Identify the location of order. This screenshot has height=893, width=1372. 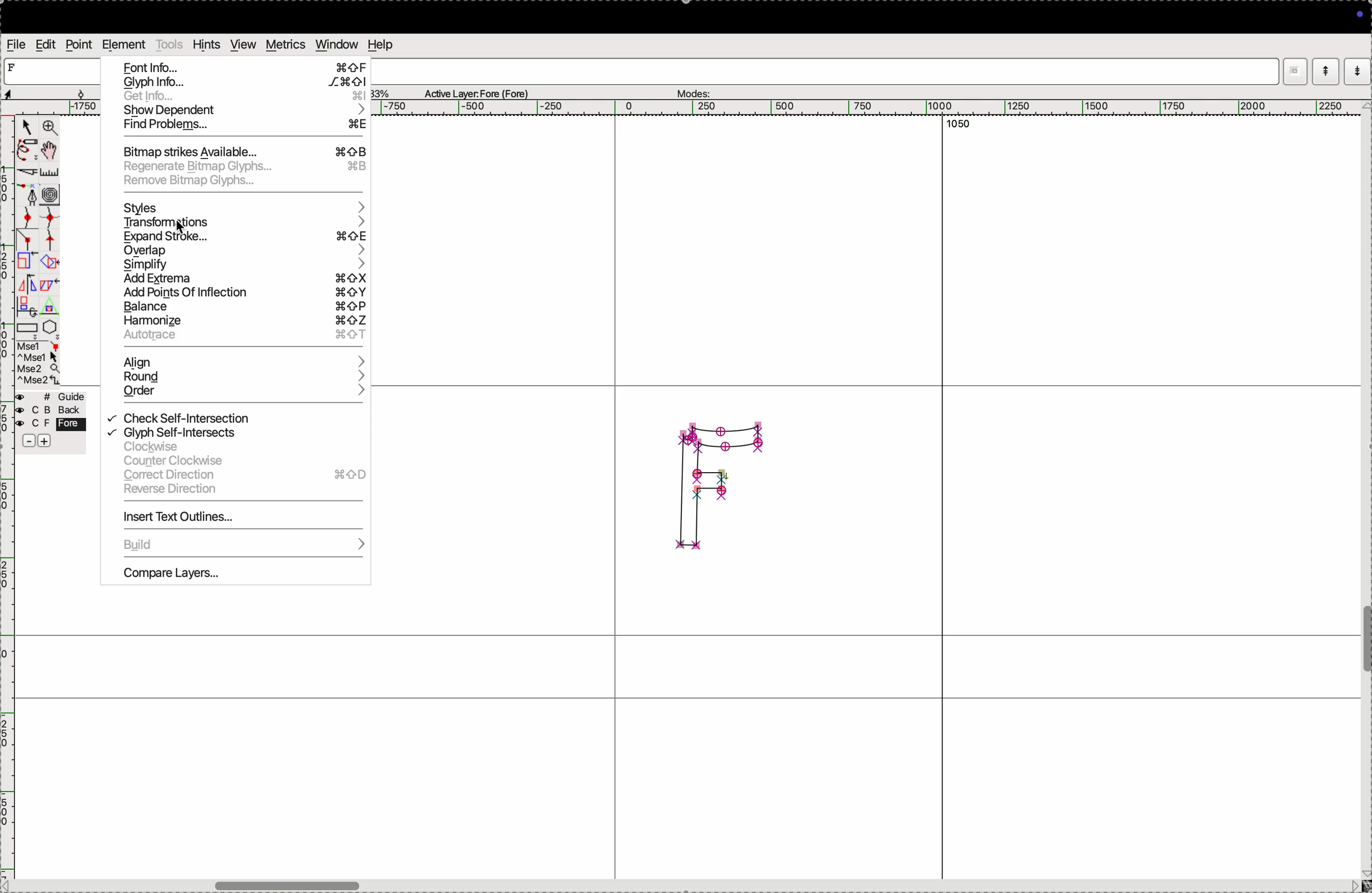
(240, 394).